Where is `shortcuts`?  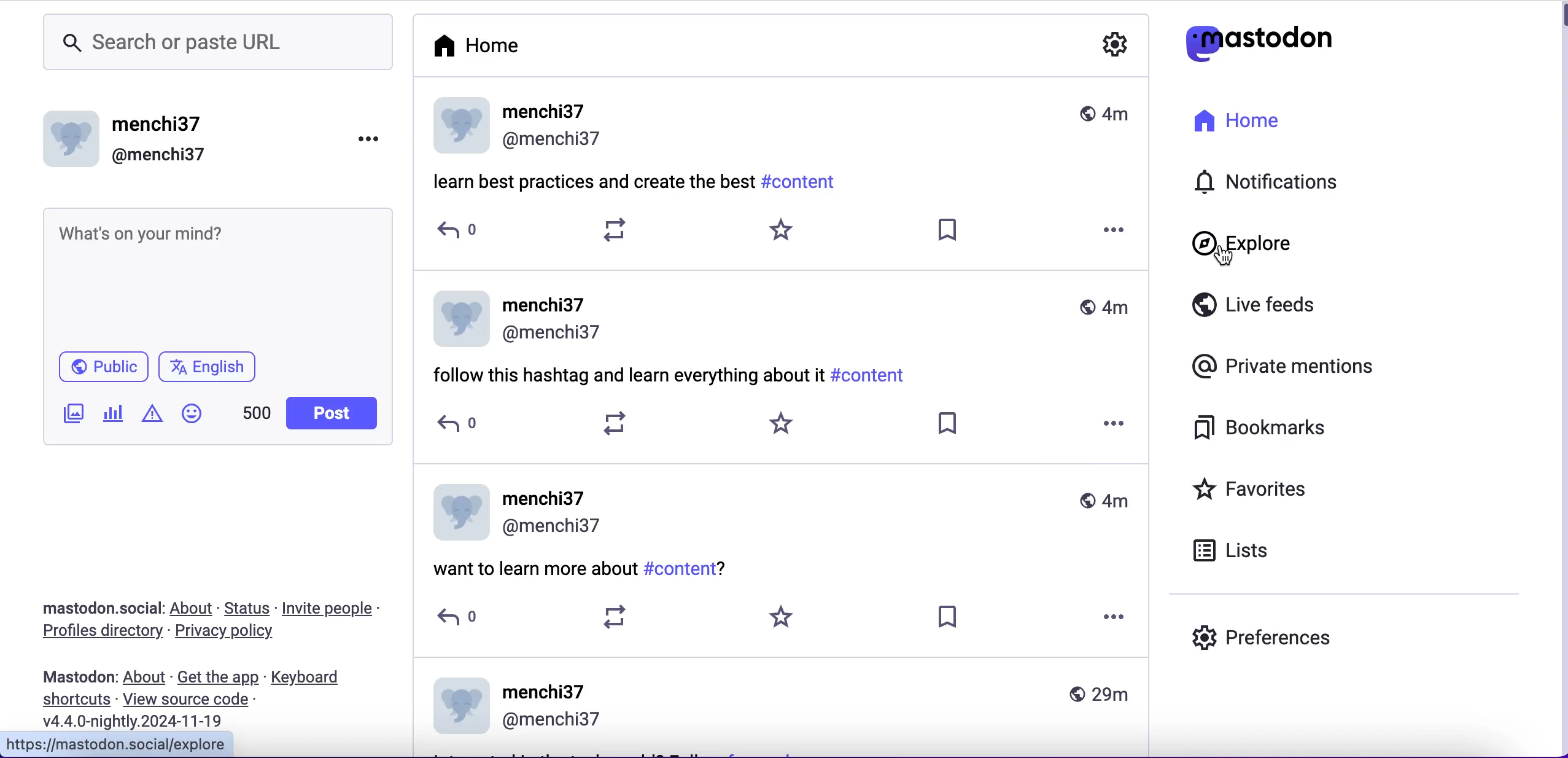
shortcuts is located at coordinates (74, 703).